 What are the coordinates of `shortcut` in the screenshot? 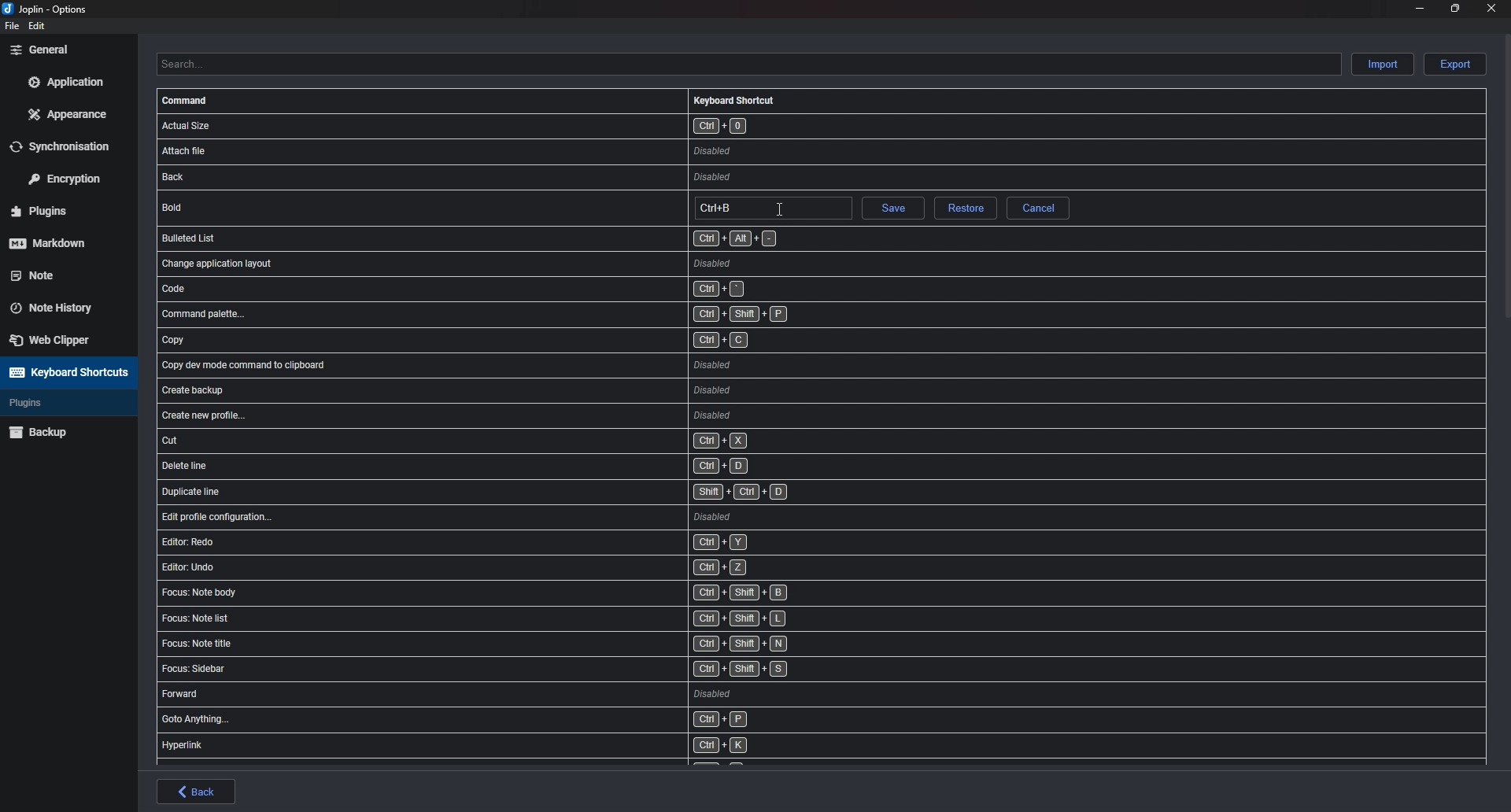 It's located at (535, 441).